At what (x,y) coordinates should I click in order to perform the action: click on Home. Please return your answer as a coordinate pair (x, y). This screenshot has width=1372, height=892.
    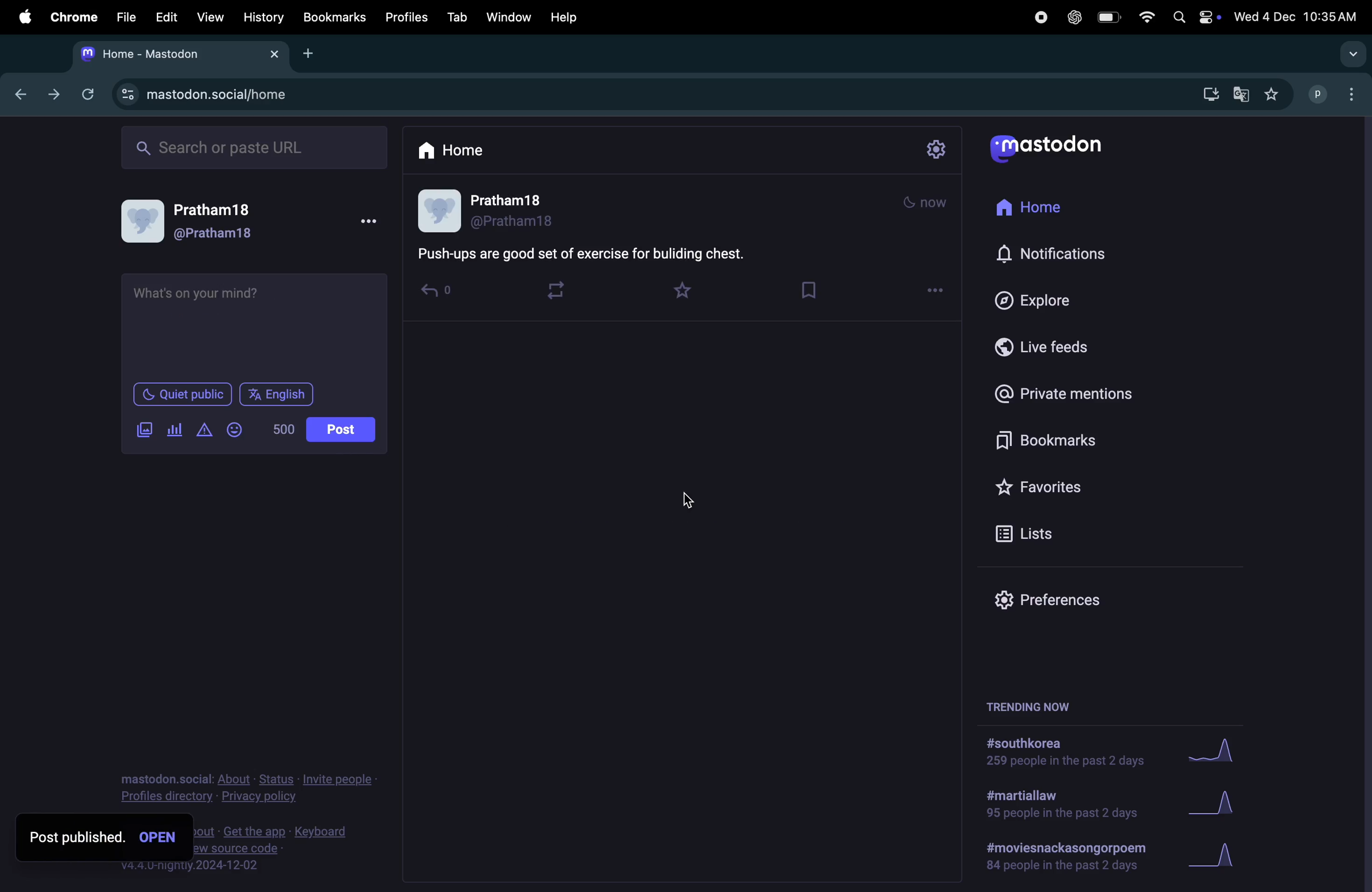
    Looking at the image, I should click on (1039, 209).